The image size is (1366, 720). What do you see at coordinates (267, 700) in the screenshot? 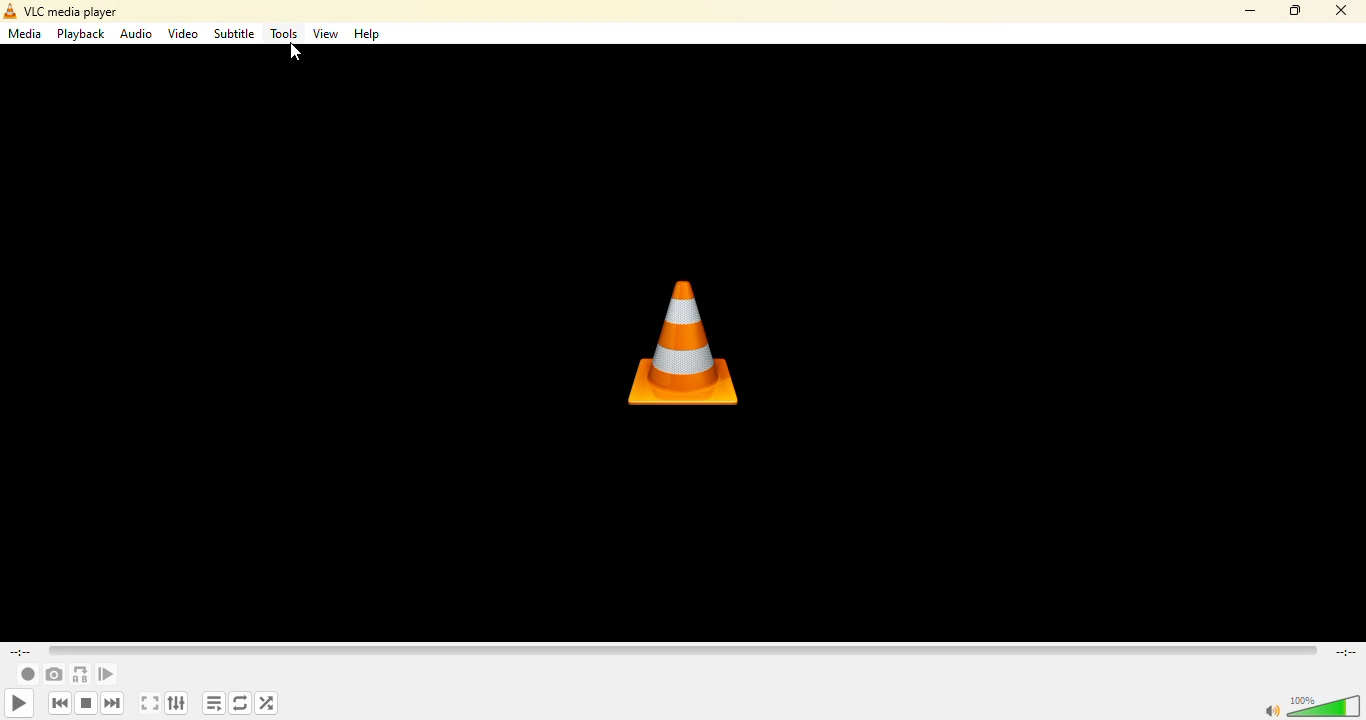
I see `random` at bounding box center [267, 700].